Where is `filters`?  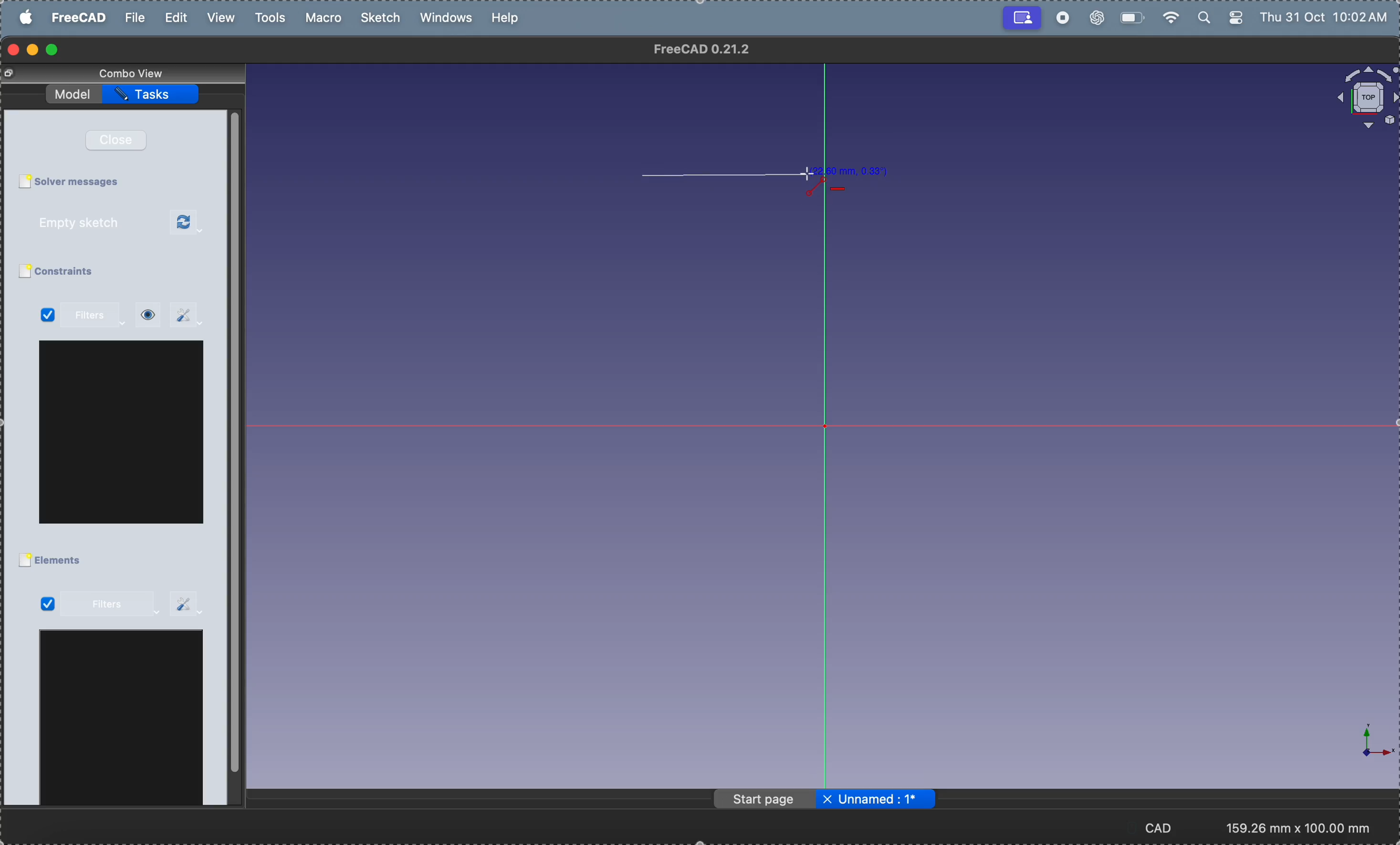
filters is located at coordinates (97, 316).